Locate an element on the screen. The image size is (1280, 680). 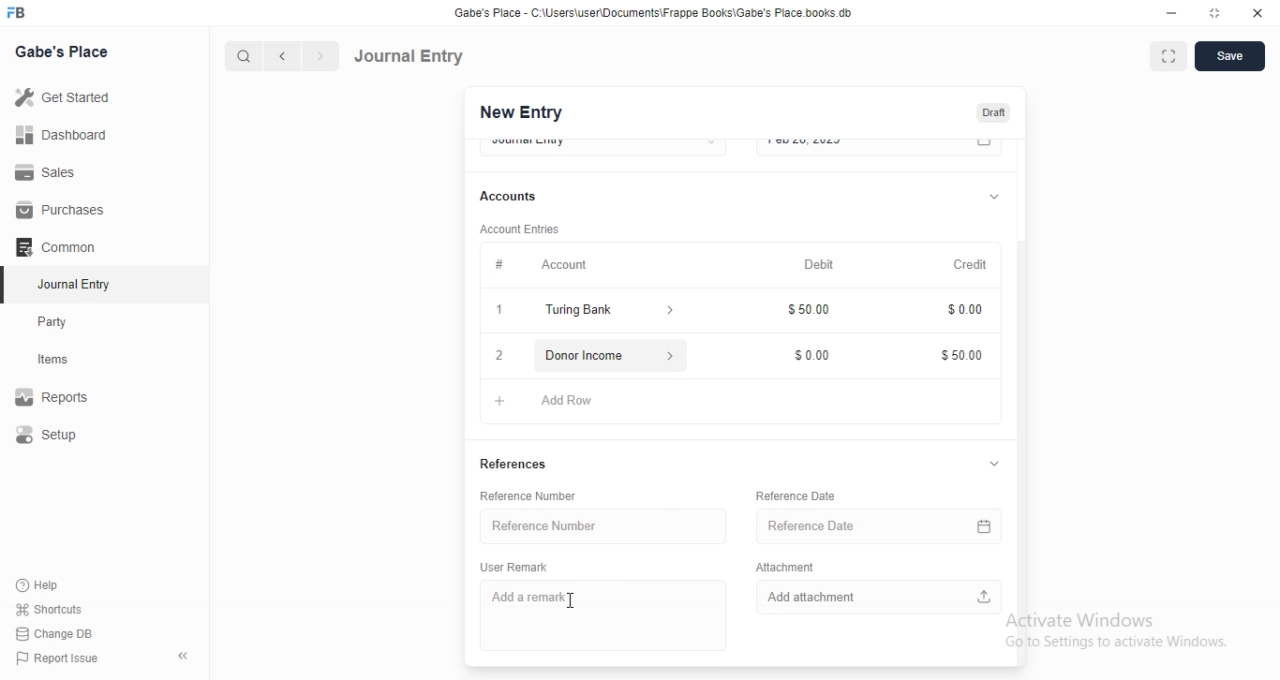
) Report Issue is located at coordinates (59, 659).